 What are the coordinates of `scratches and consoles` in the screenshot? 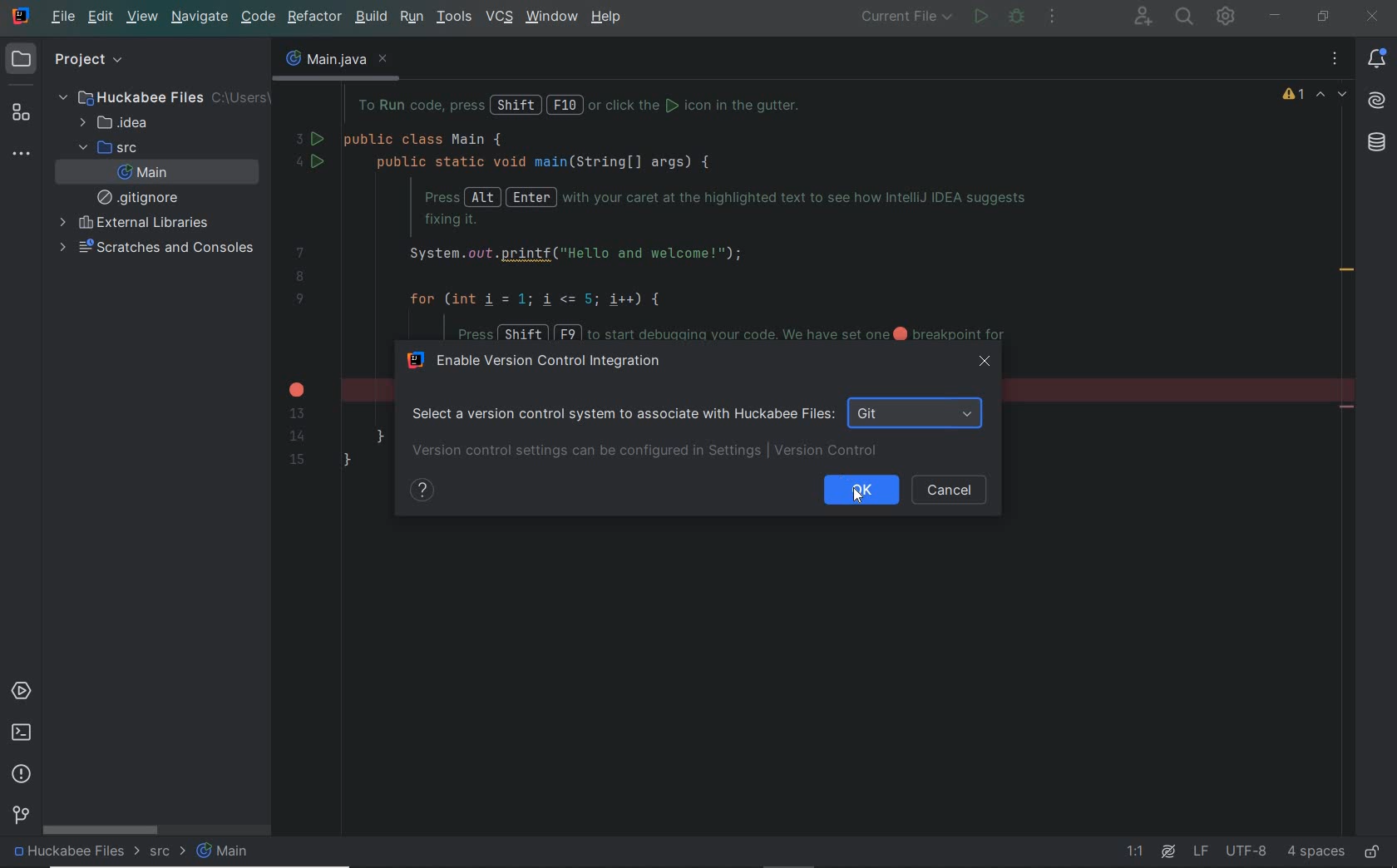 It's located at (158, 248).